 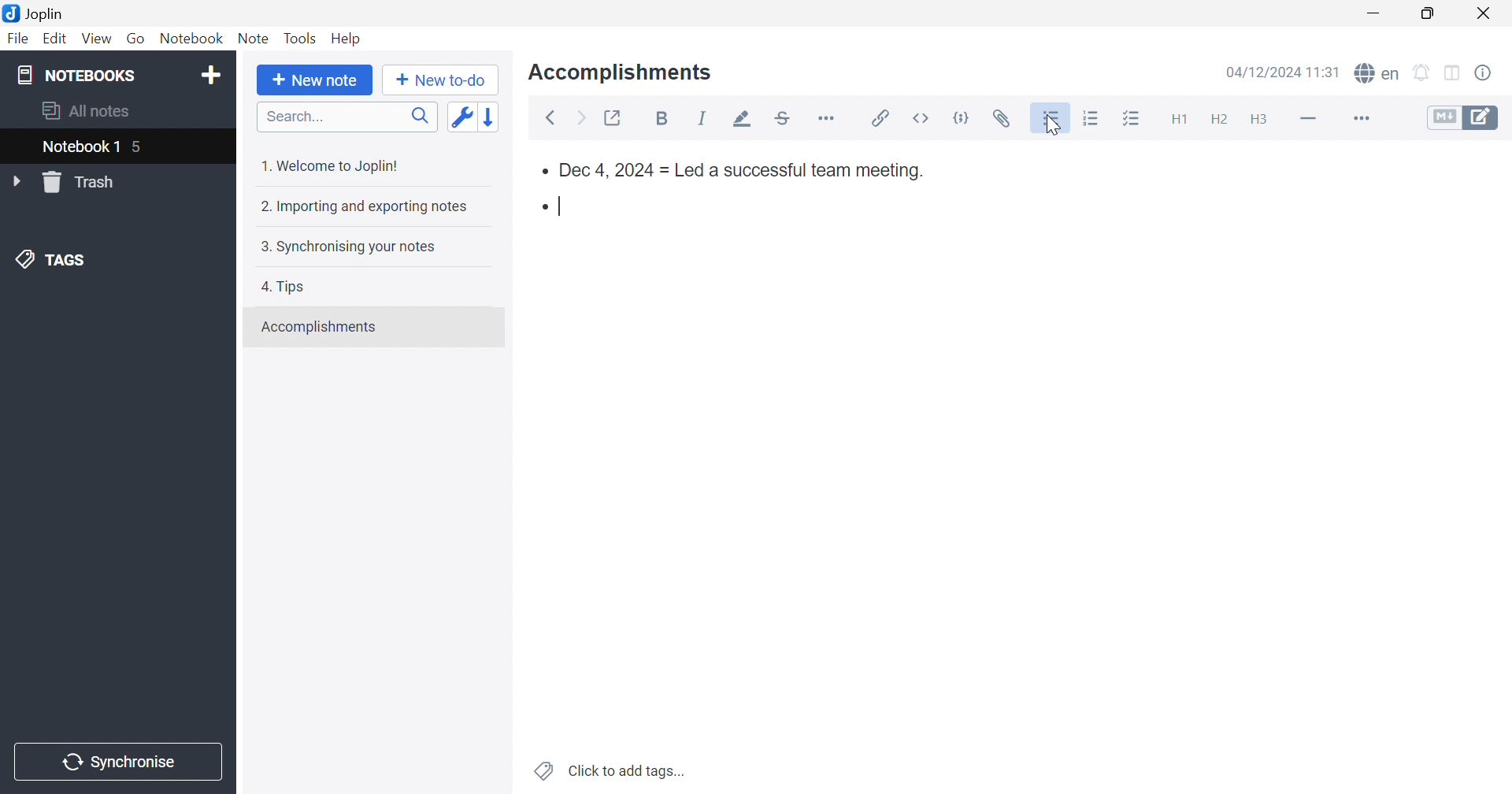 What do you see at coordinates (1180, 120) in the screenshot?
I see `Heading 1` at bounding box center [1180, 120].